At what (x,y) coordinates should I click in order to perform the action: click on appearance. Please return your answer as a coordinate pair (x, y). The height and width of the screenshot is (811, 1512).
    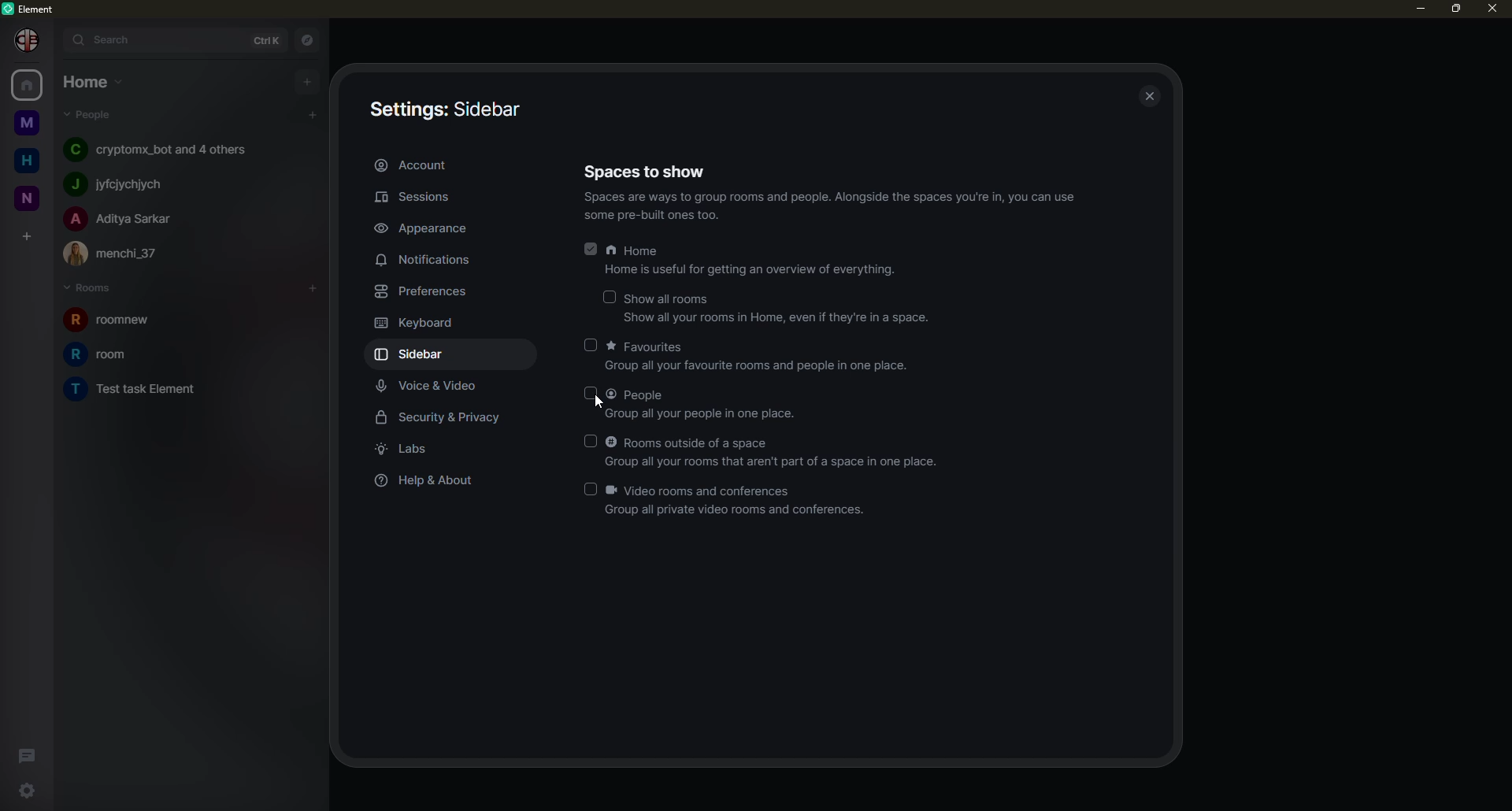
    Looking at the image, I should click on (423, 225).